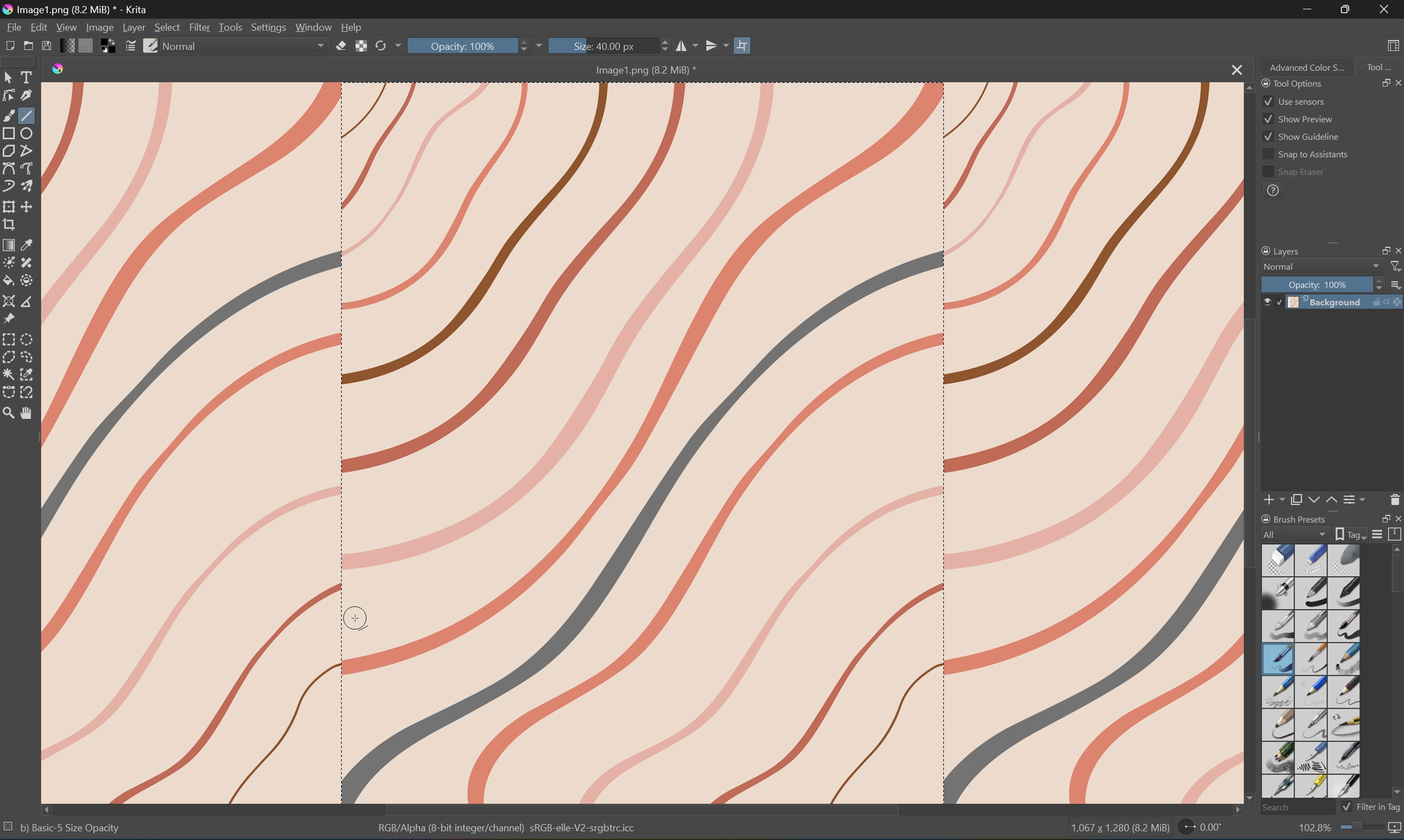  What do you see at coordinates (1266, 234) in the screenshot?
I see `Scroll Left` at bounding box center [1266, 234].